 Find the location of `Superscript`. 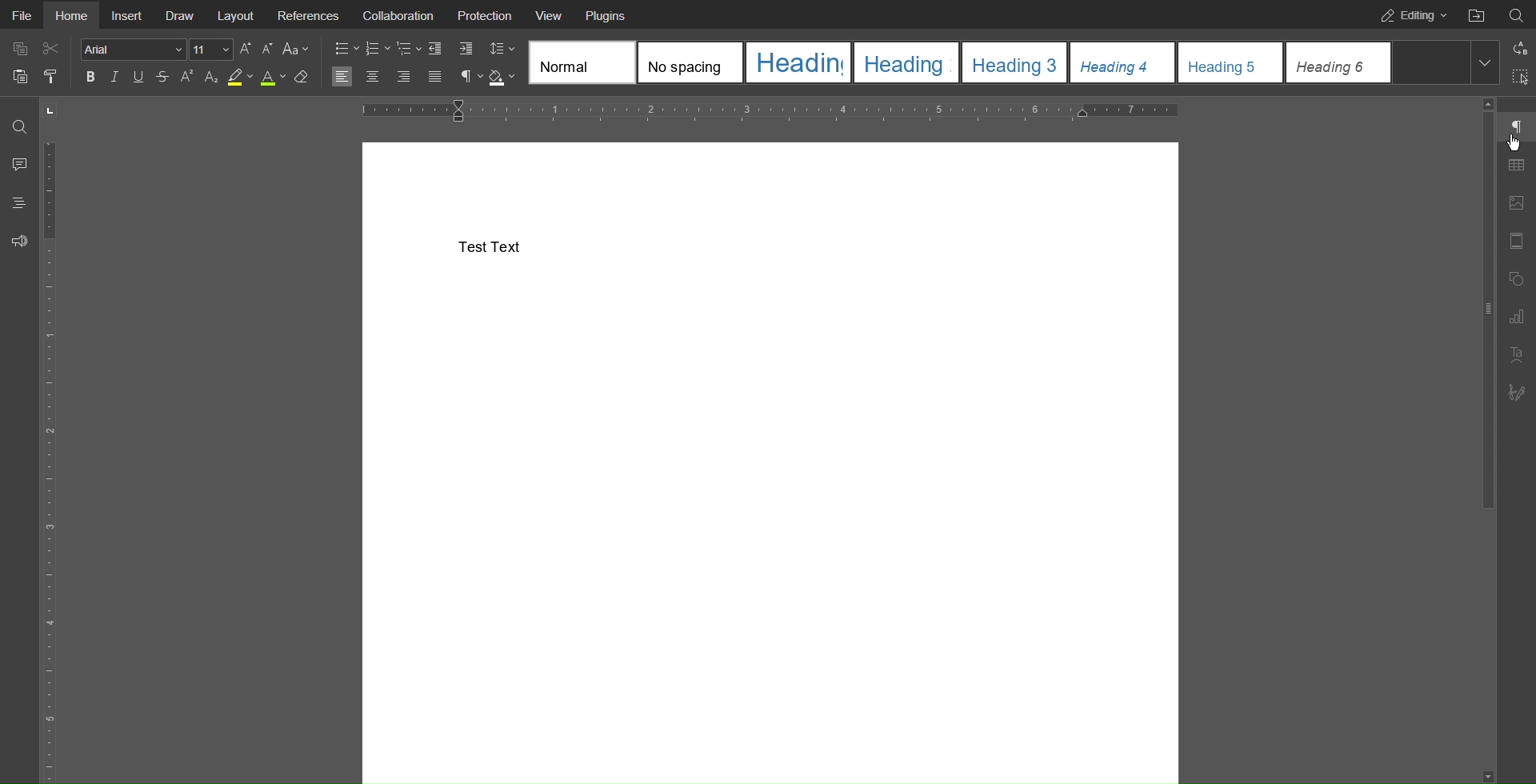

Superscript is located at coordinates (186, 78).